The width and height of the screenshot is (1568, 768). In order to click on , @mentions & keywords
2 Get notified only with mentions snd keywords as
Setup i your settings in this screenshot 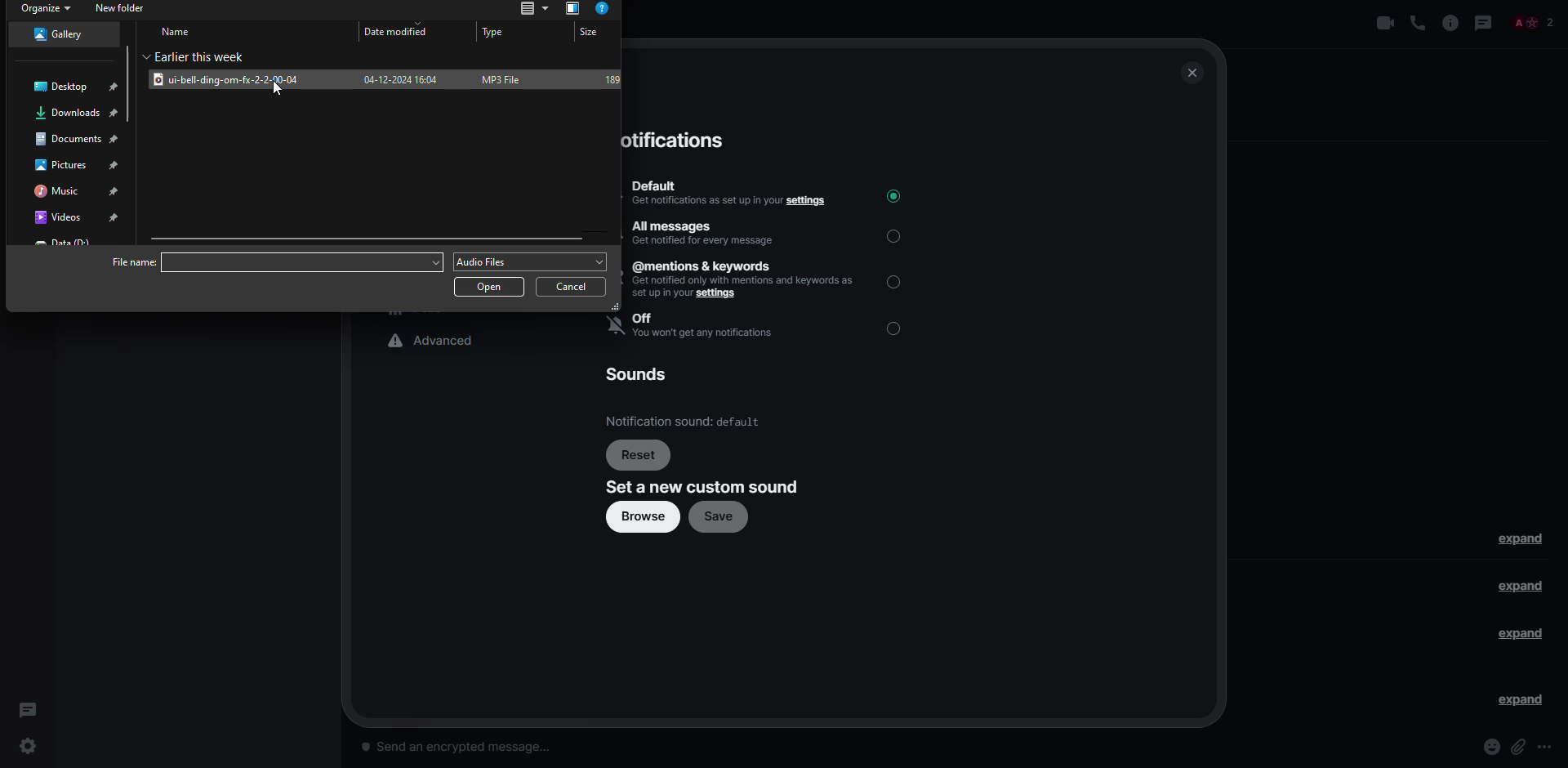, I will do `click(745, 280)`.